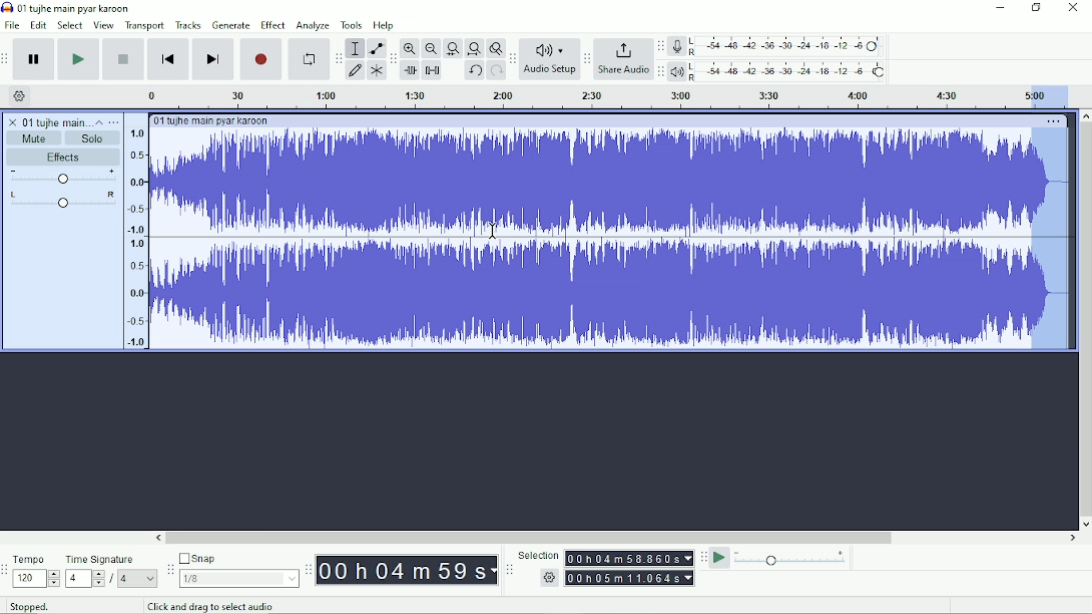  What do you see at coordinates (104, 26) in the screenshot?
I see `View` at bounding box center [104, 26].